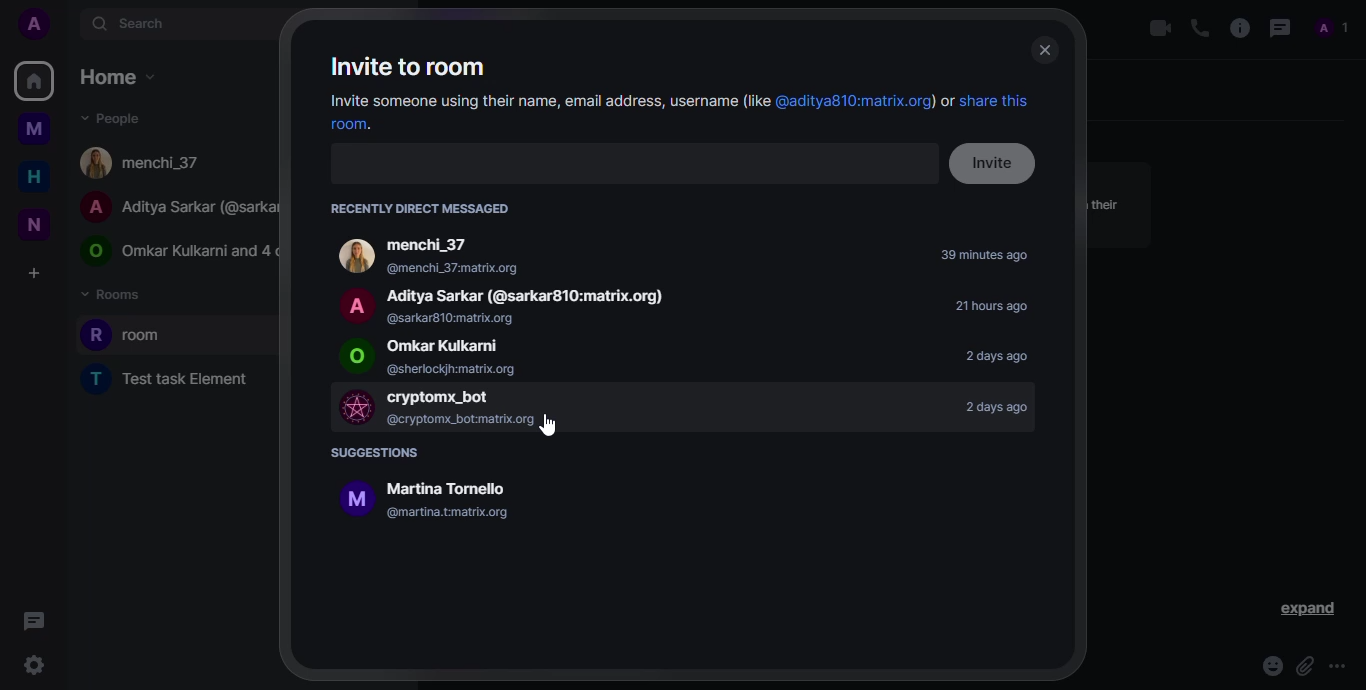 This screenshot has width=1366, height=690. I want to click on new, so click(35, 223).